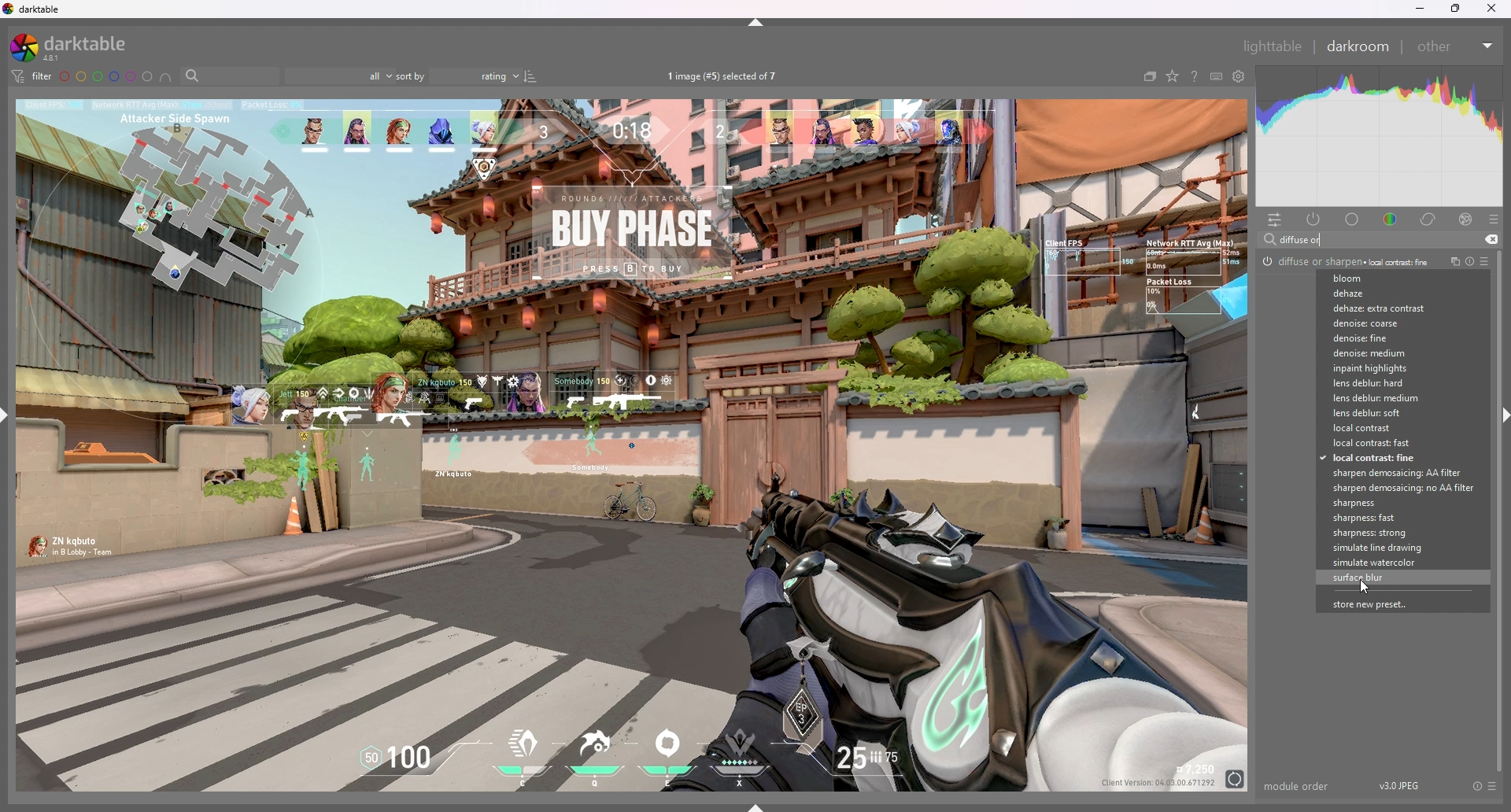 This screenshot has width=1511, height=812. I want to click on heat graph, so click(1380, 136).